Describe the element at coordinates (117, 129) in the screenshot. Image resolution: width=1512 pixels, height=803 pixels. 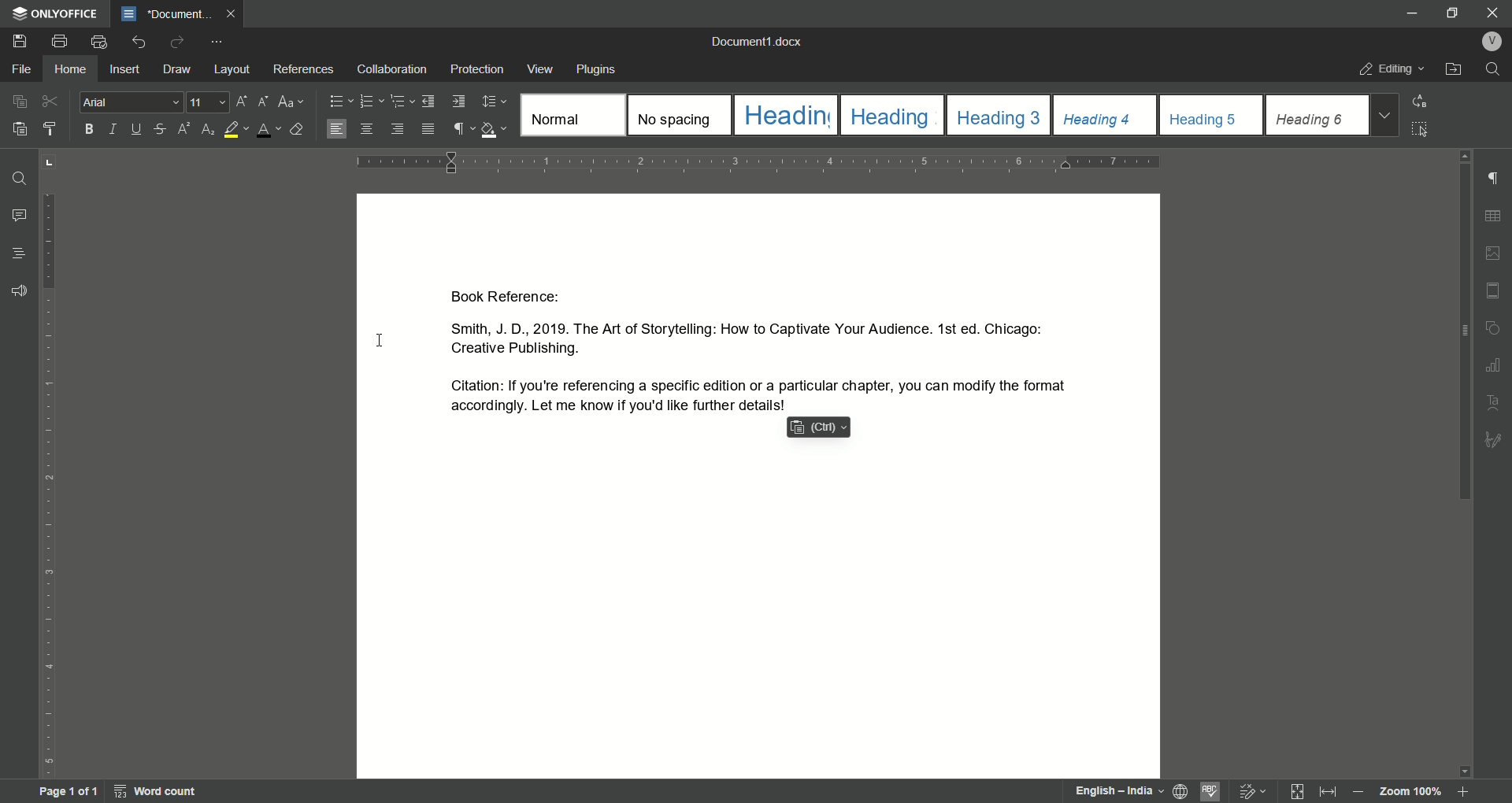
I see `italic` at that location.